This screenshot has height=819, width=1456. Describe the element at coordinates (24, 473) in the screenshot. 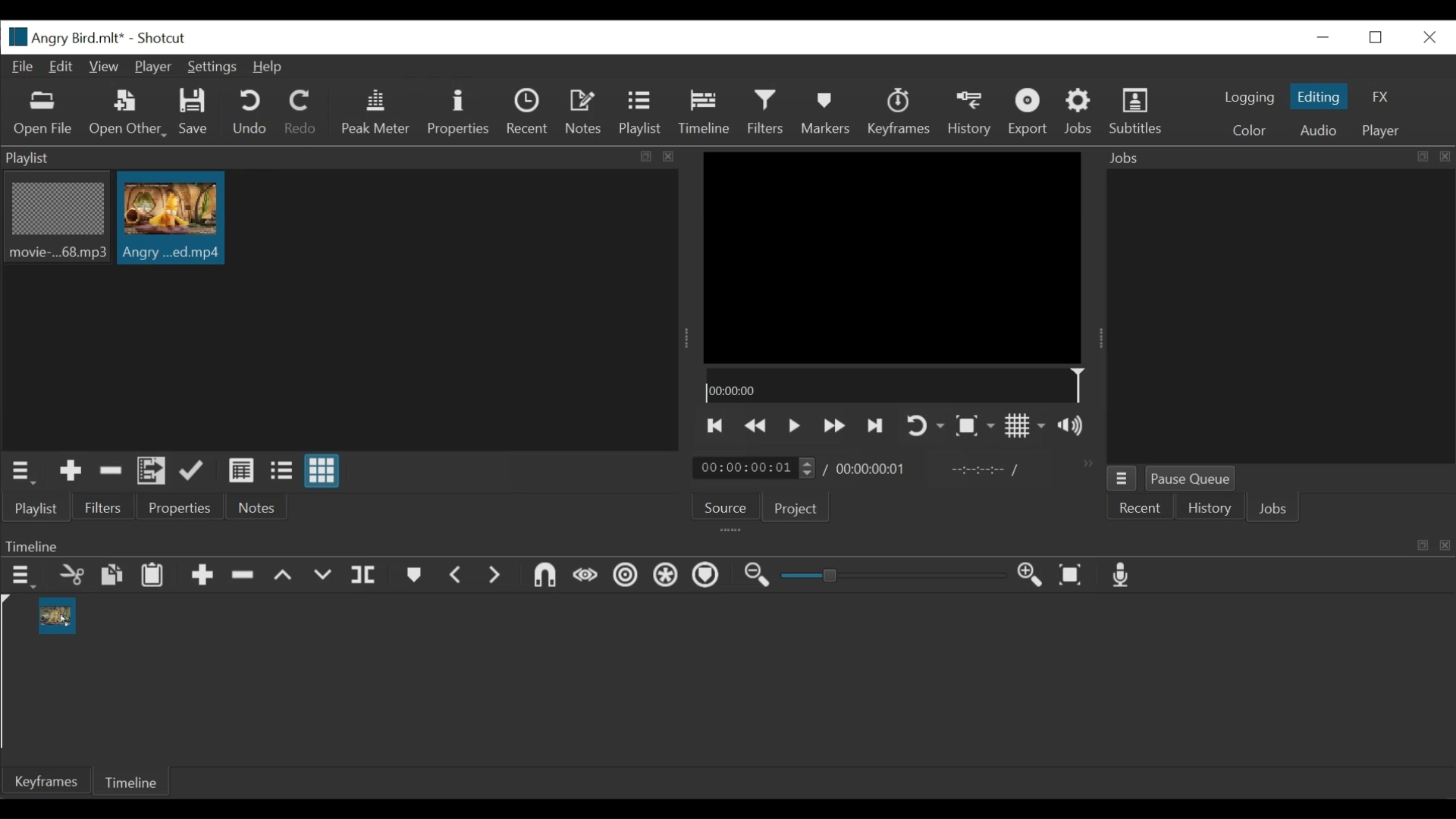

I see `Playlist menu` at that location.